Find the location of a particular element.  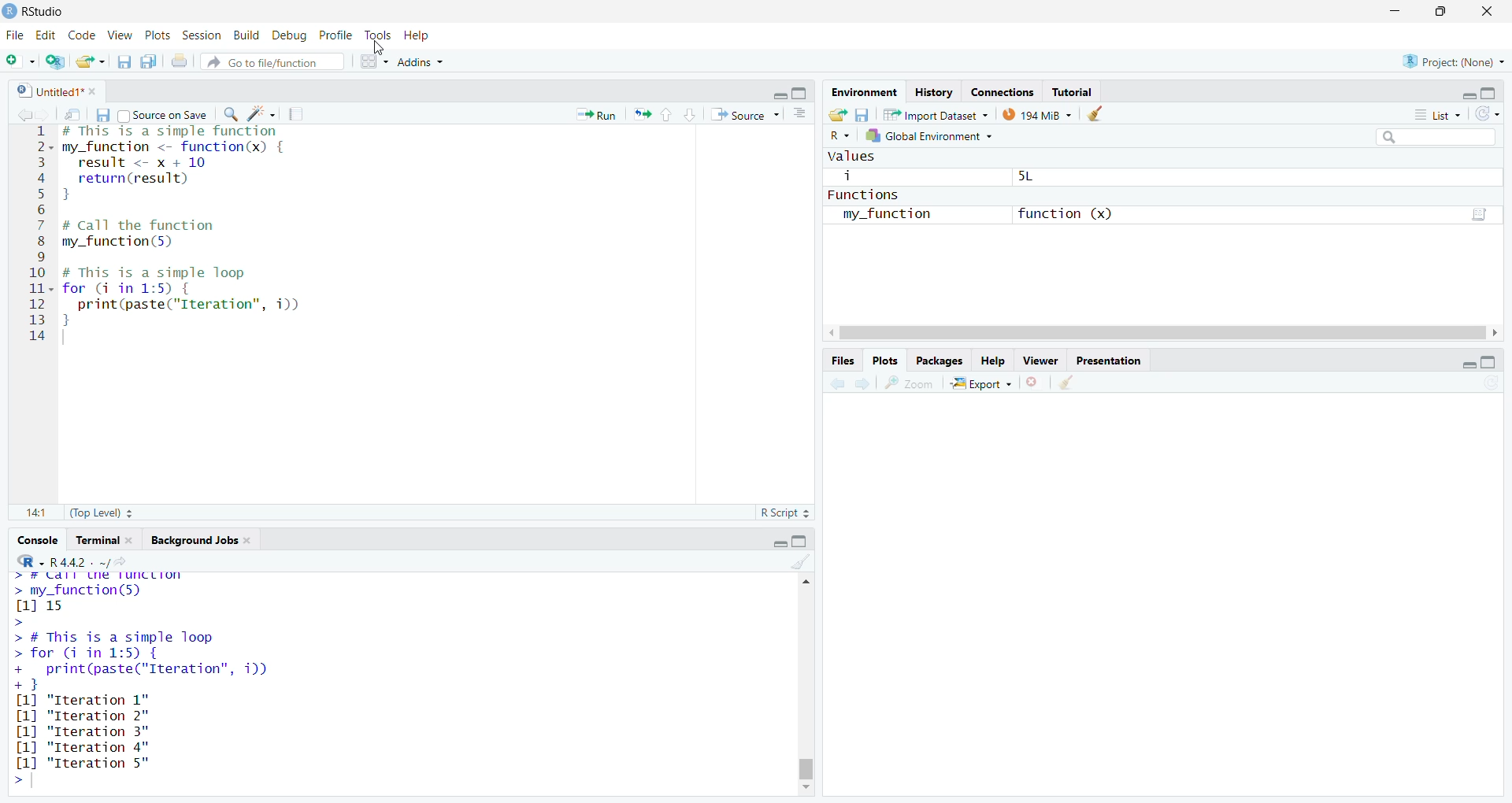

serial numbers is located at coordinates (38, 237).